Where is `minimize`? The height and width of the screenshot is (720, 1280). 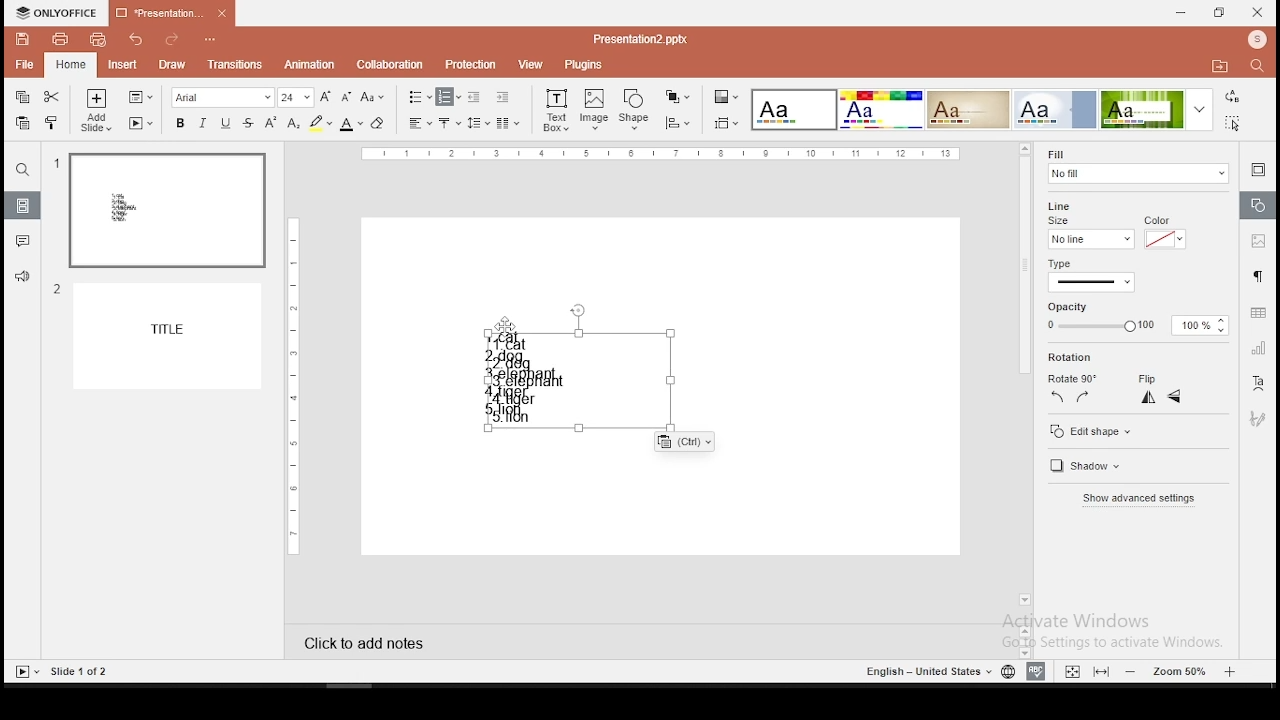 minimize is located at coordinates (1181, 14).